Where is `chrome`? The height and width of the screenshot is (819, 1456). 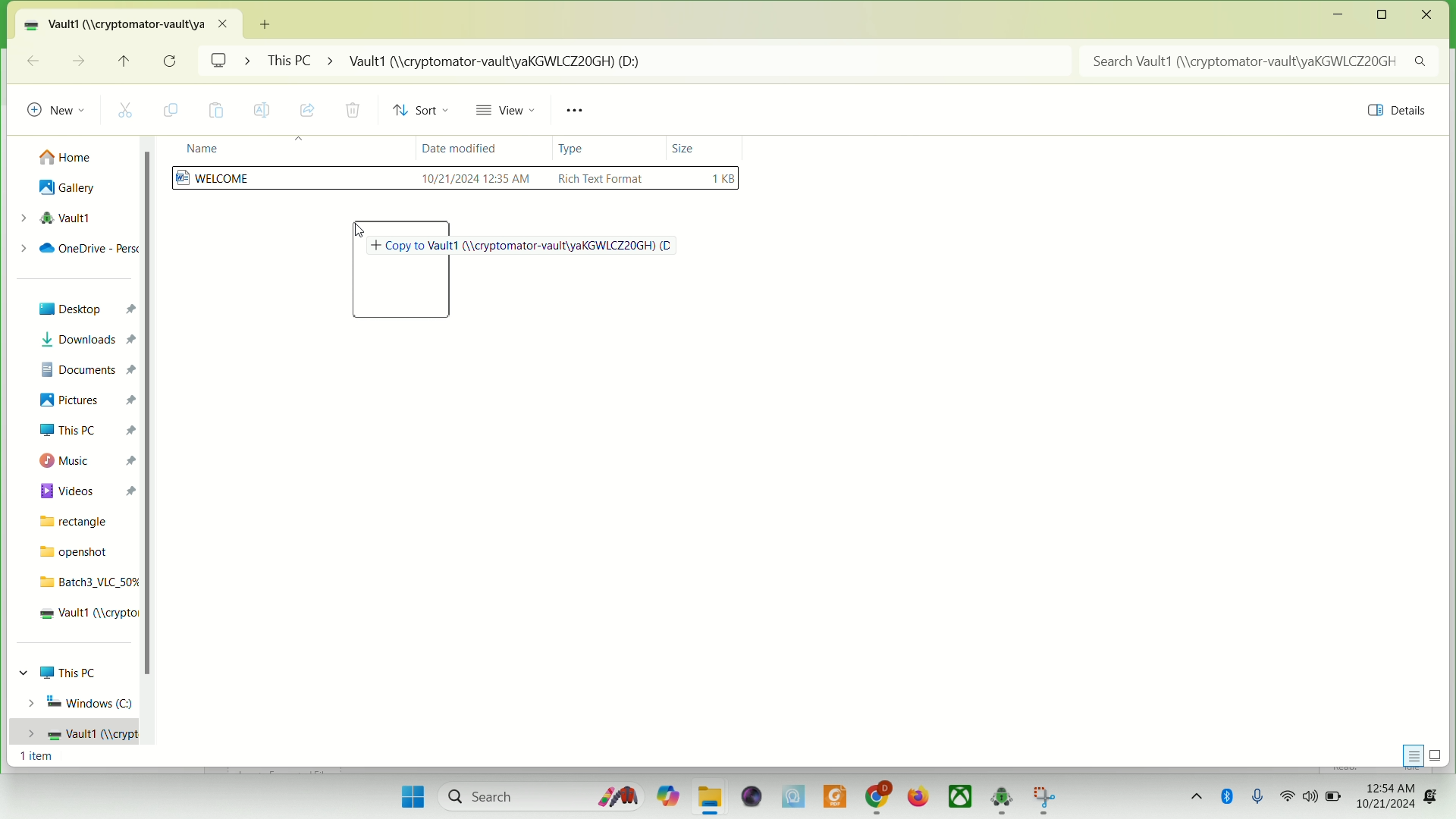 chrome is located at coordinates (877, 795).